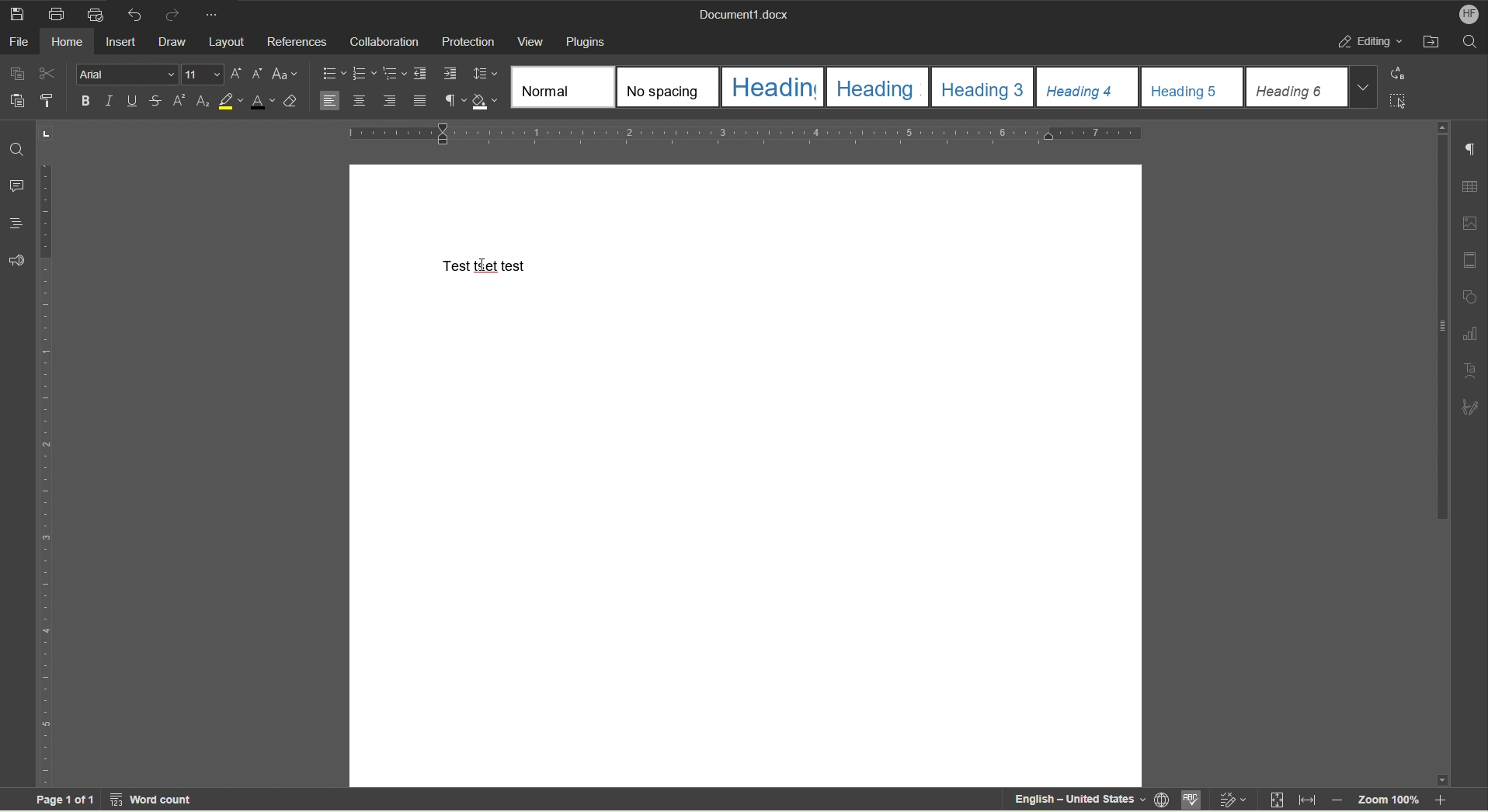  I want to click on Nested List, so click(395, 74).